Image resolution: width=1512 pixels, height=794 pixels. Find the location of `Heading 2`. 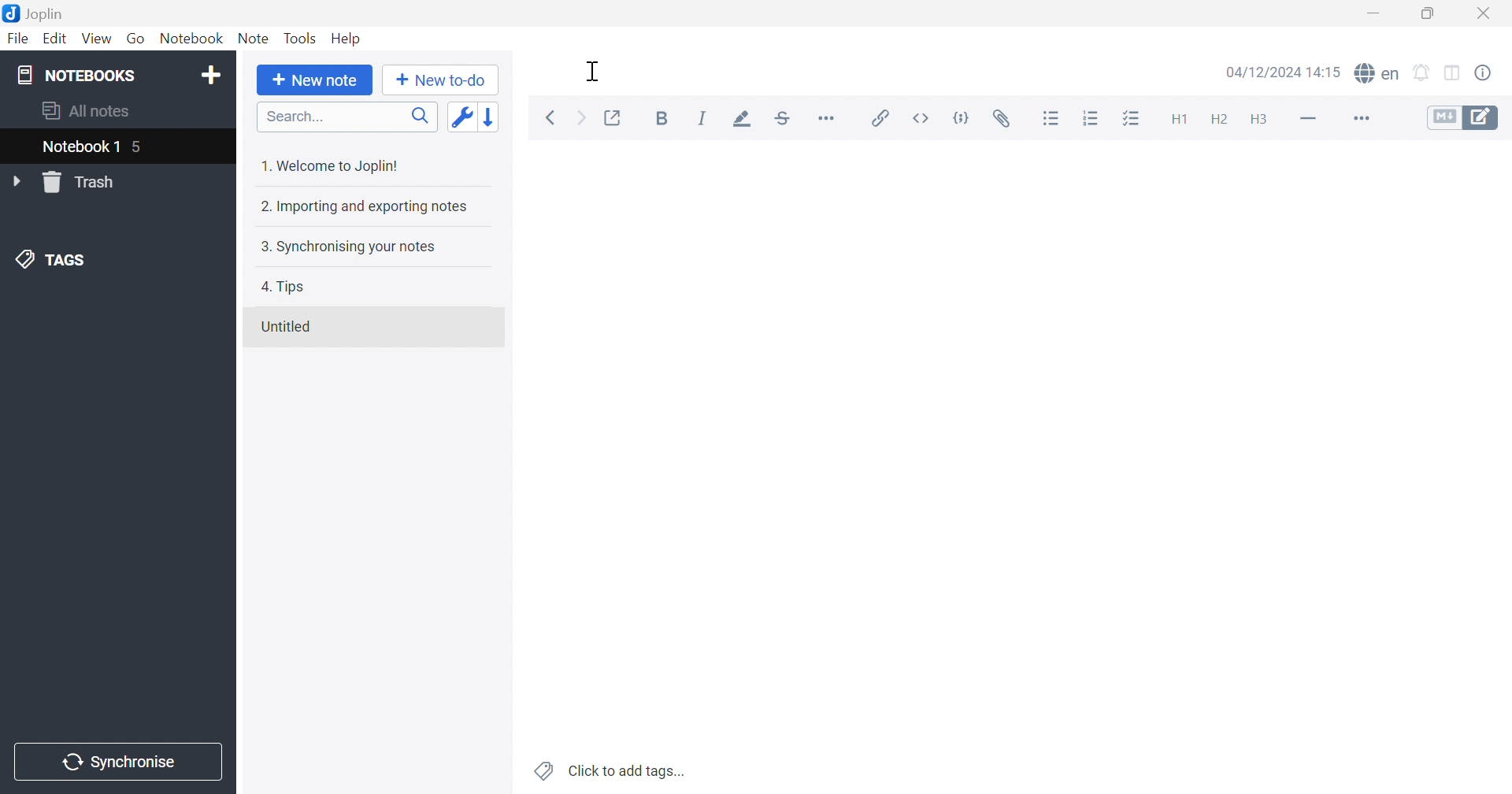

Heading 2 is located at coordinates (1219, 120).